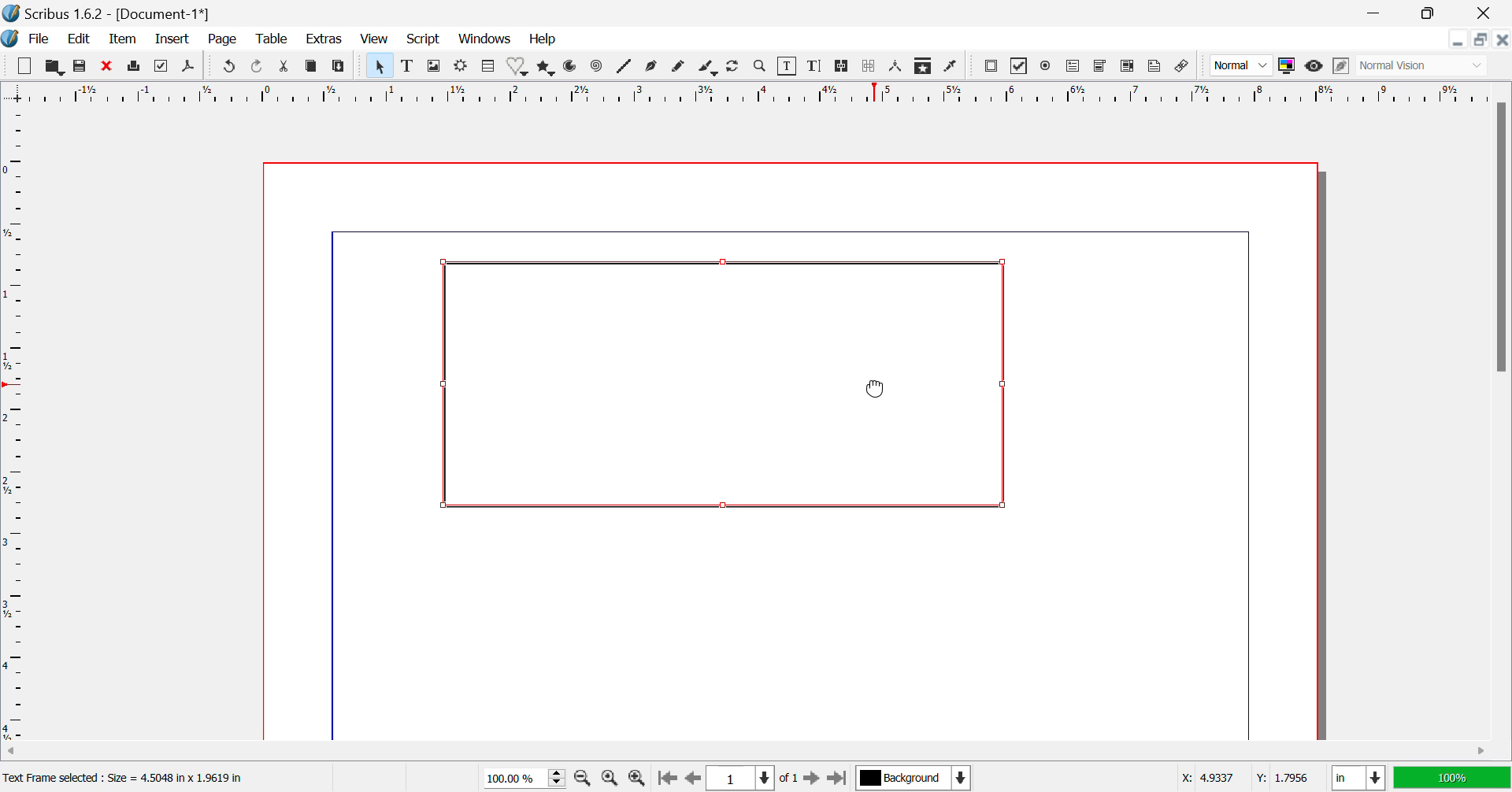 The width and height of the screenshot is (1512, 792). What do you see at coordinates (174, 39) in the screenshot?
I see `Insert` at bounding box center [174, 39].